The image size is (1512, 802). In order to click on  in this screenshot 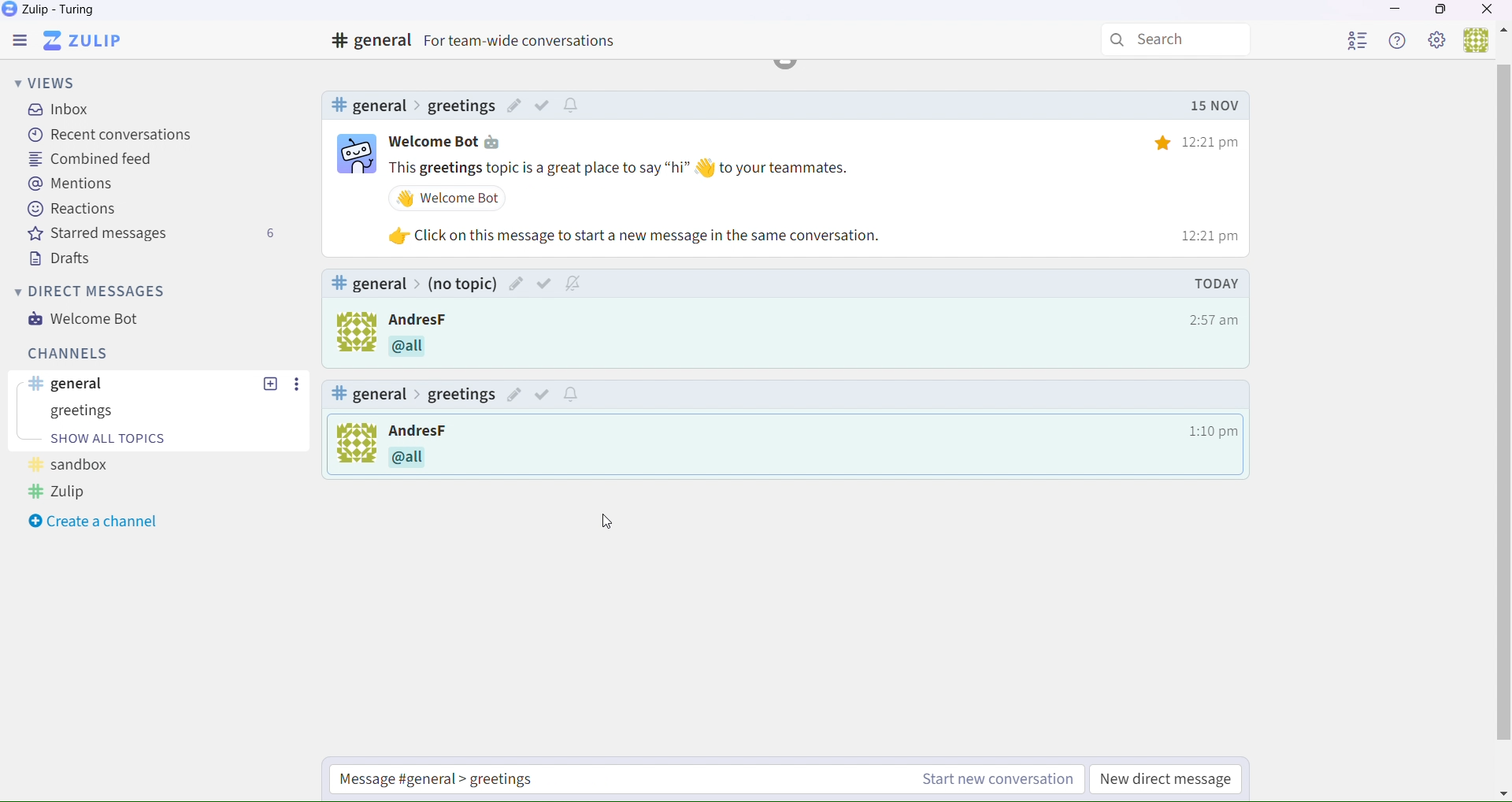, I will do `click(1215, 284)`.